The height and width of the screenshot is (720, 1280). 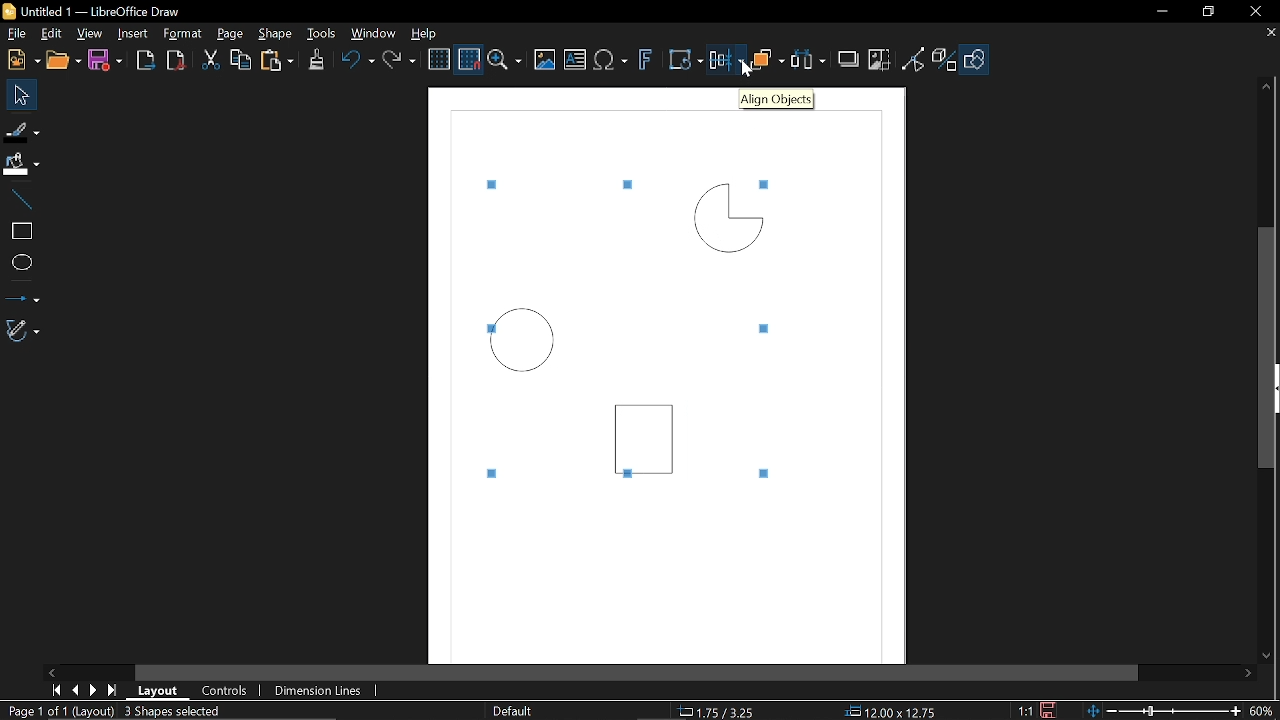 What do you see at coordinates (373, 34) in the screenshot?
I see `Window` at bounding box center [373, 34].